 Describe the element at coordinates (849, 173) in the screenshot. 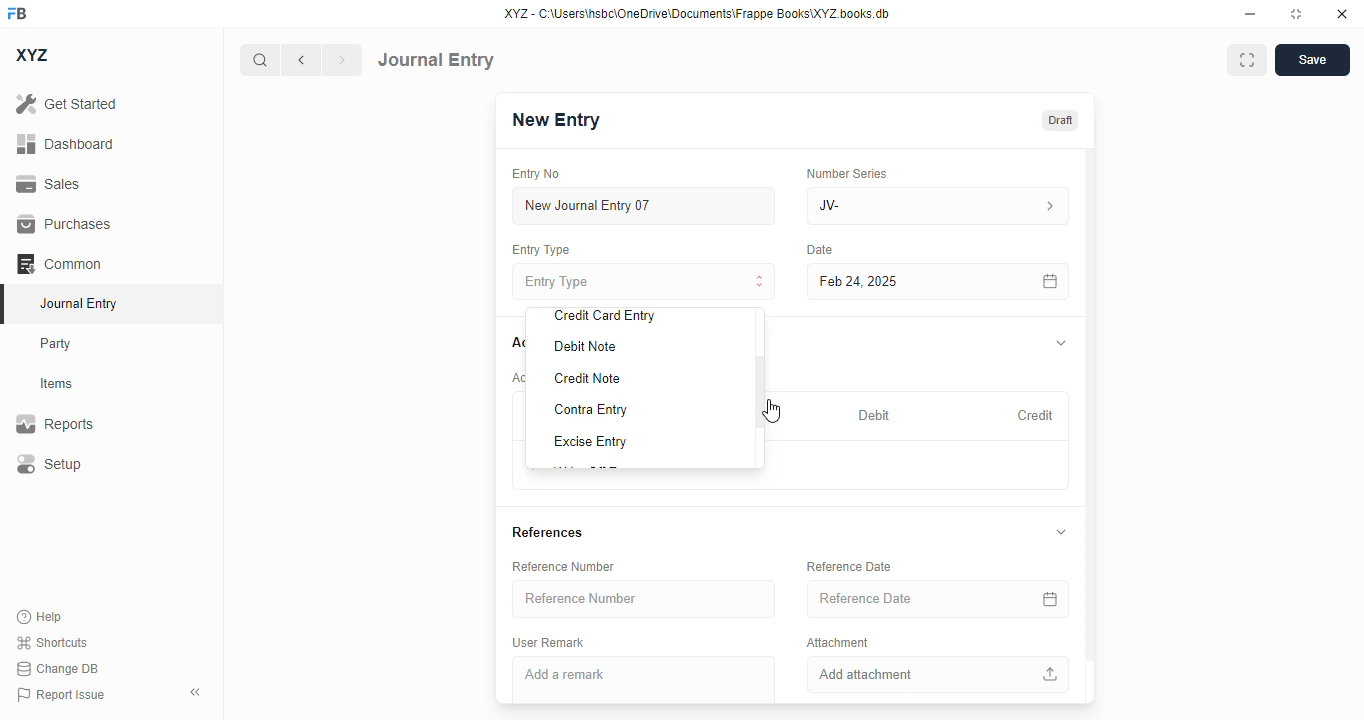

I see `number series` at that location.